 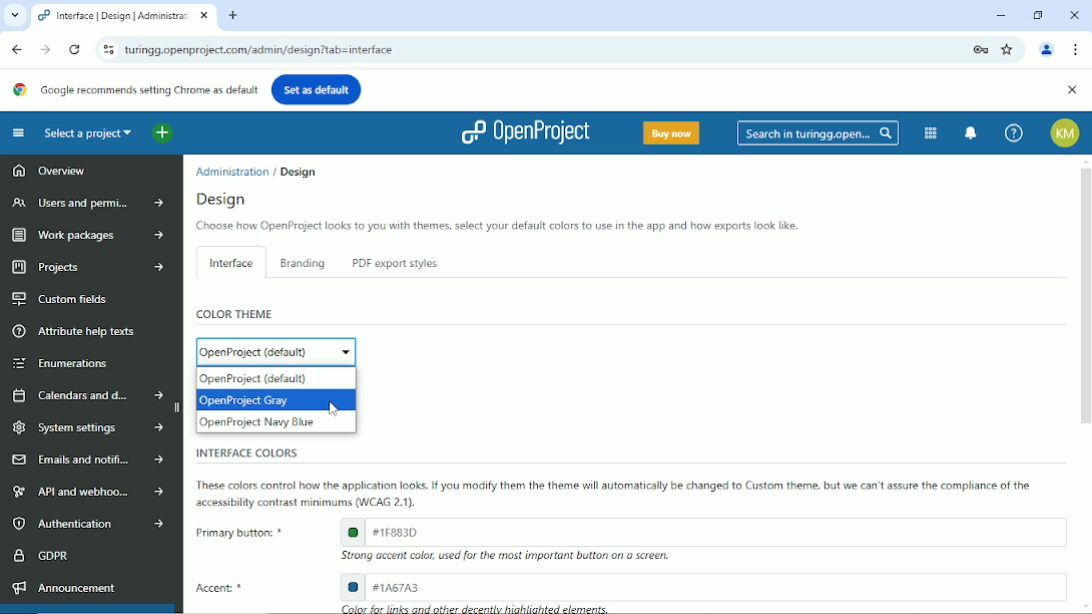 I want to click on turingg.openproject.com/admin/design’tab = interface, so click(x=541, y=49).